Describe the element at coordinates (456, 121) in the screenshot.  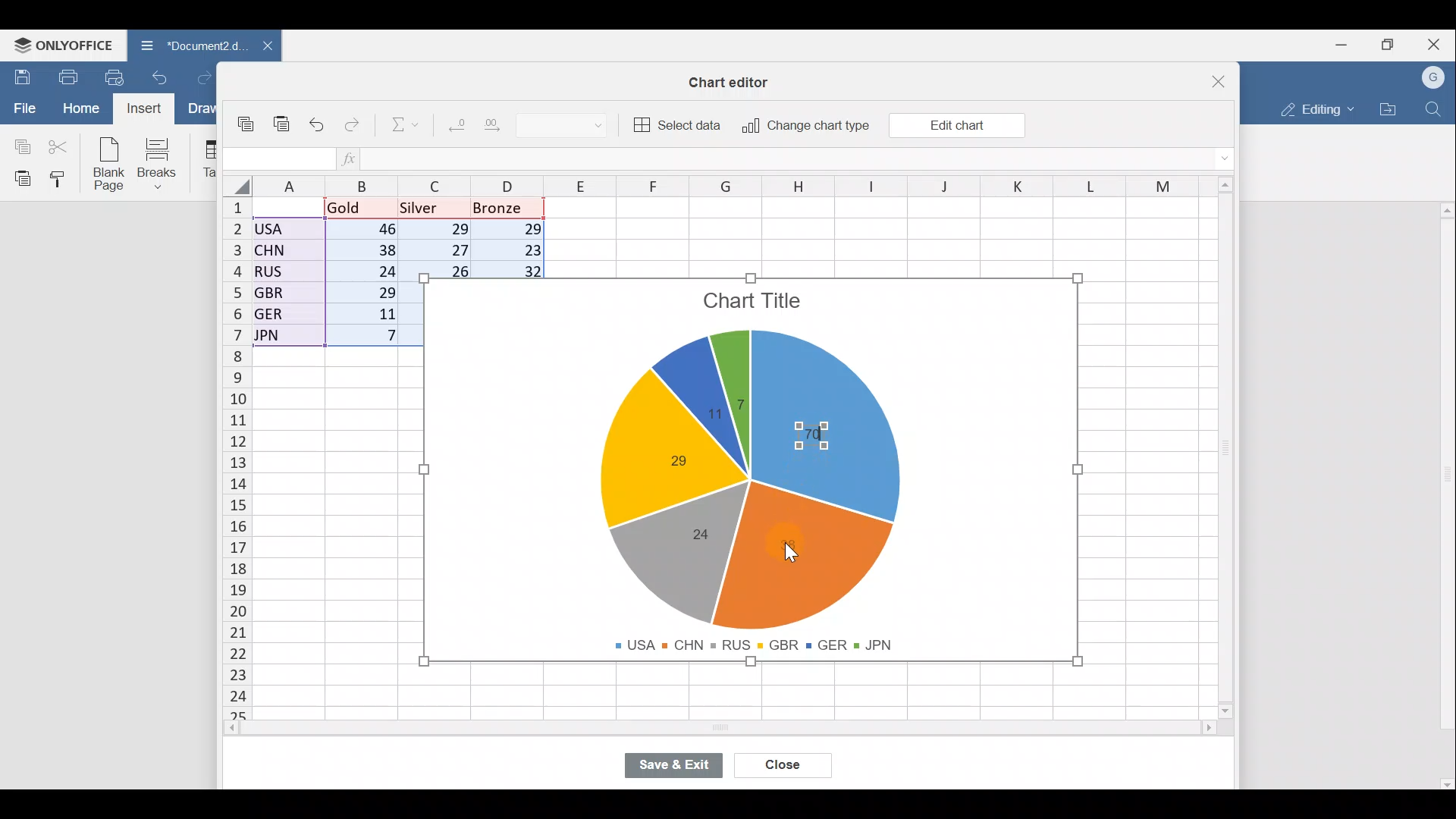
I see `Decrease decimal` at that location.